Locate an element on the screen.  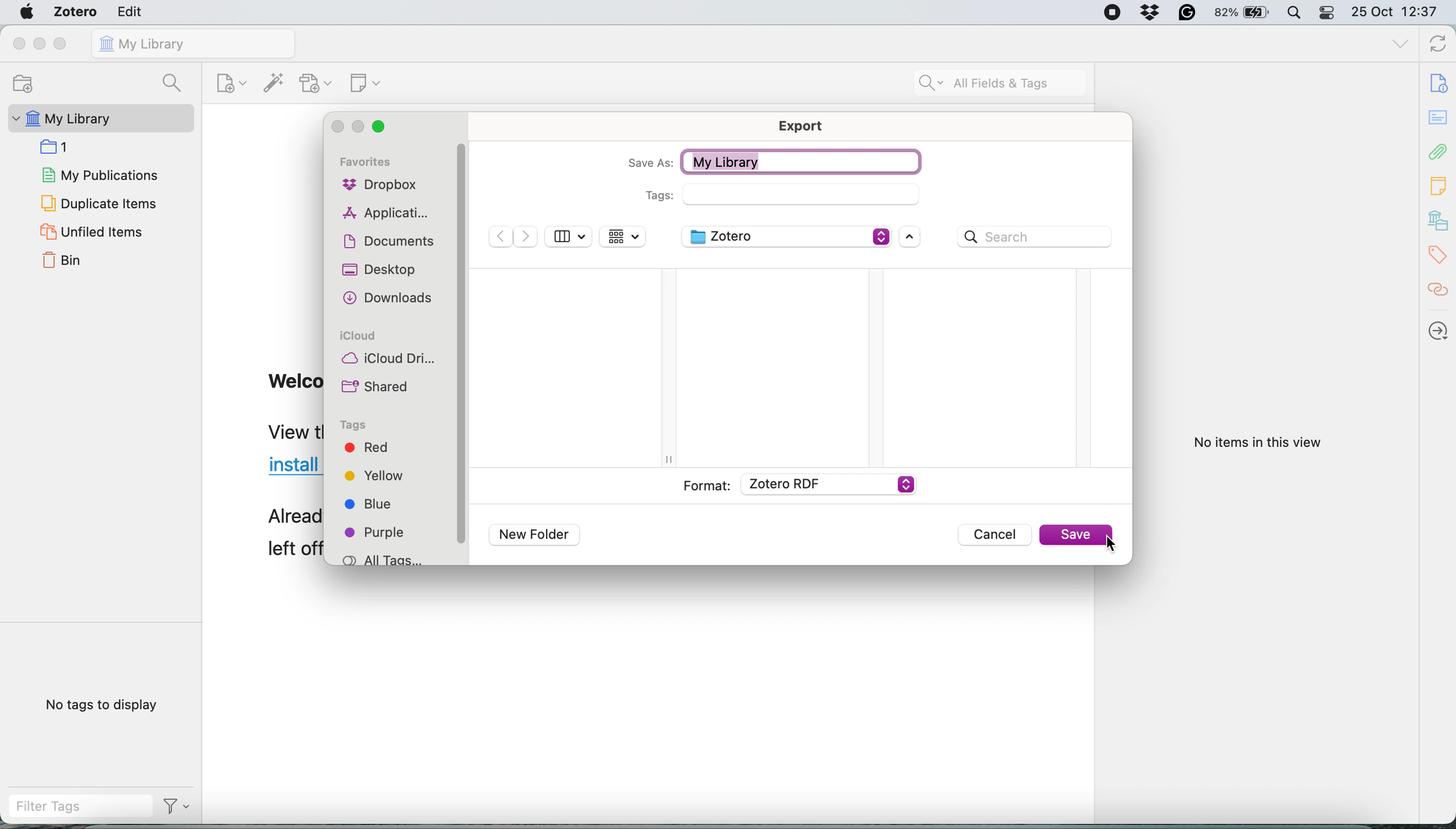
list all tabs is located at coordinates (1400, 44).